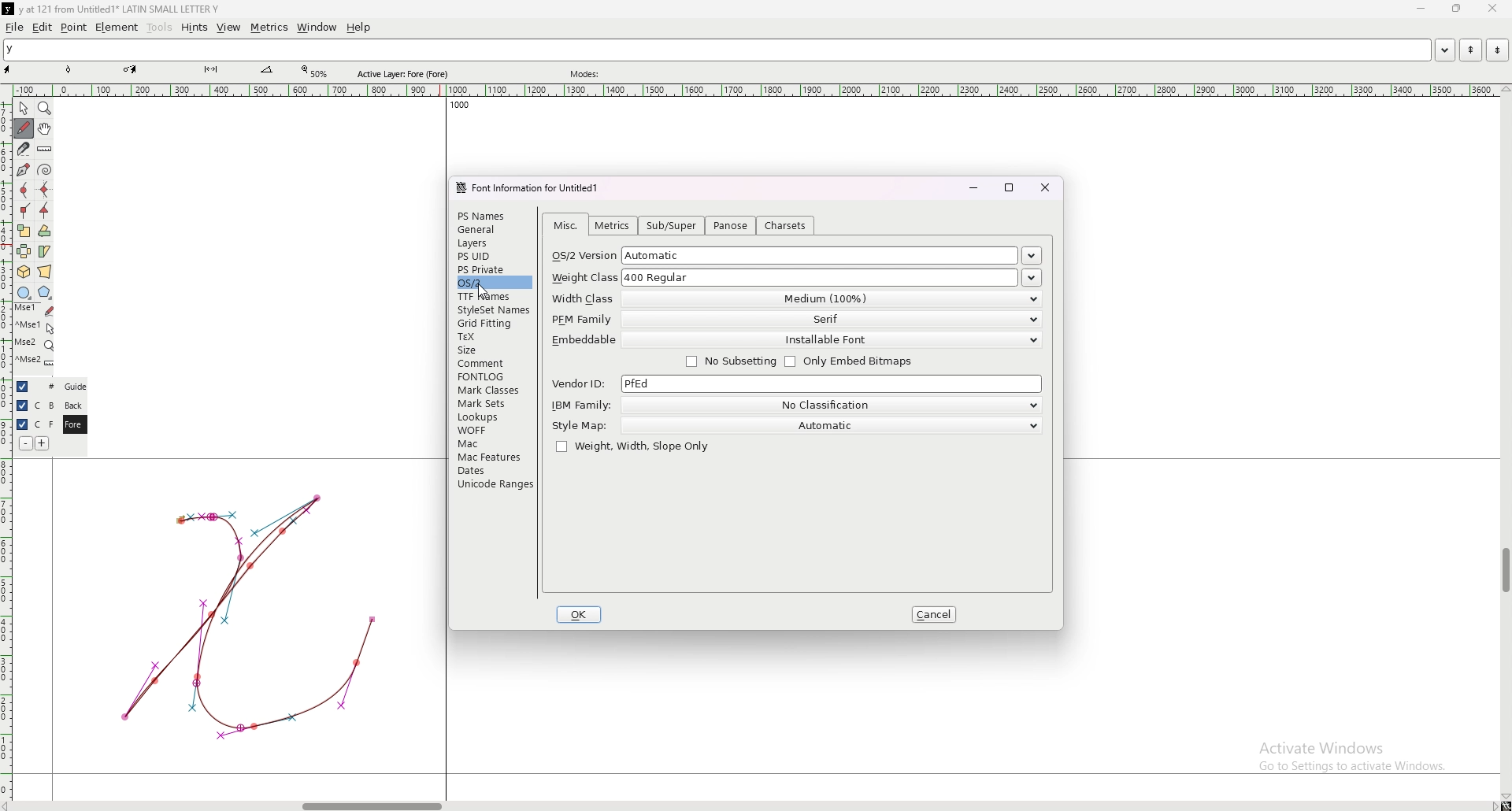  What do you see at coordinates (24, 109) in the screenshot?
I see `pointer` at bounding box center [24, 109].